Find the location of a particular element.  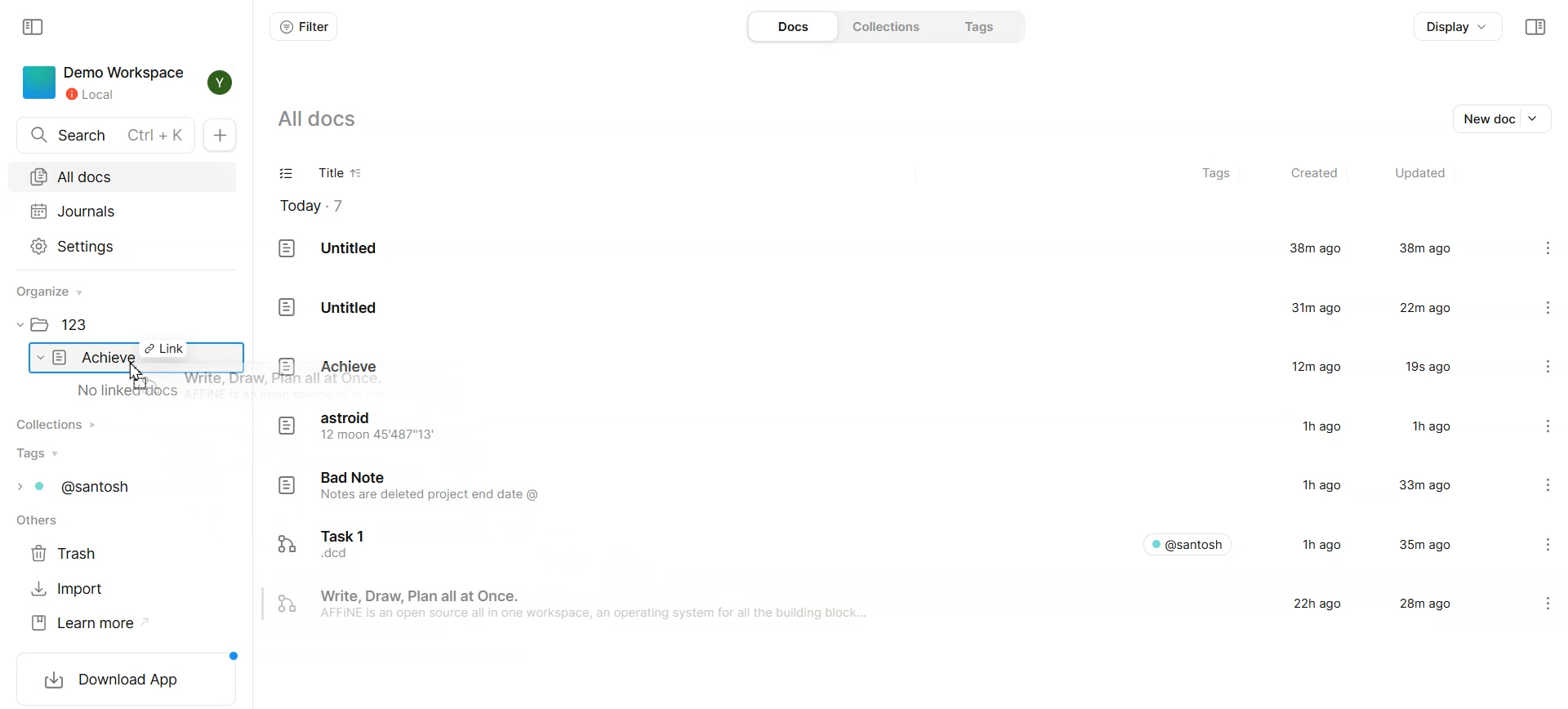

Achieve is located at coordinates (98, 358).